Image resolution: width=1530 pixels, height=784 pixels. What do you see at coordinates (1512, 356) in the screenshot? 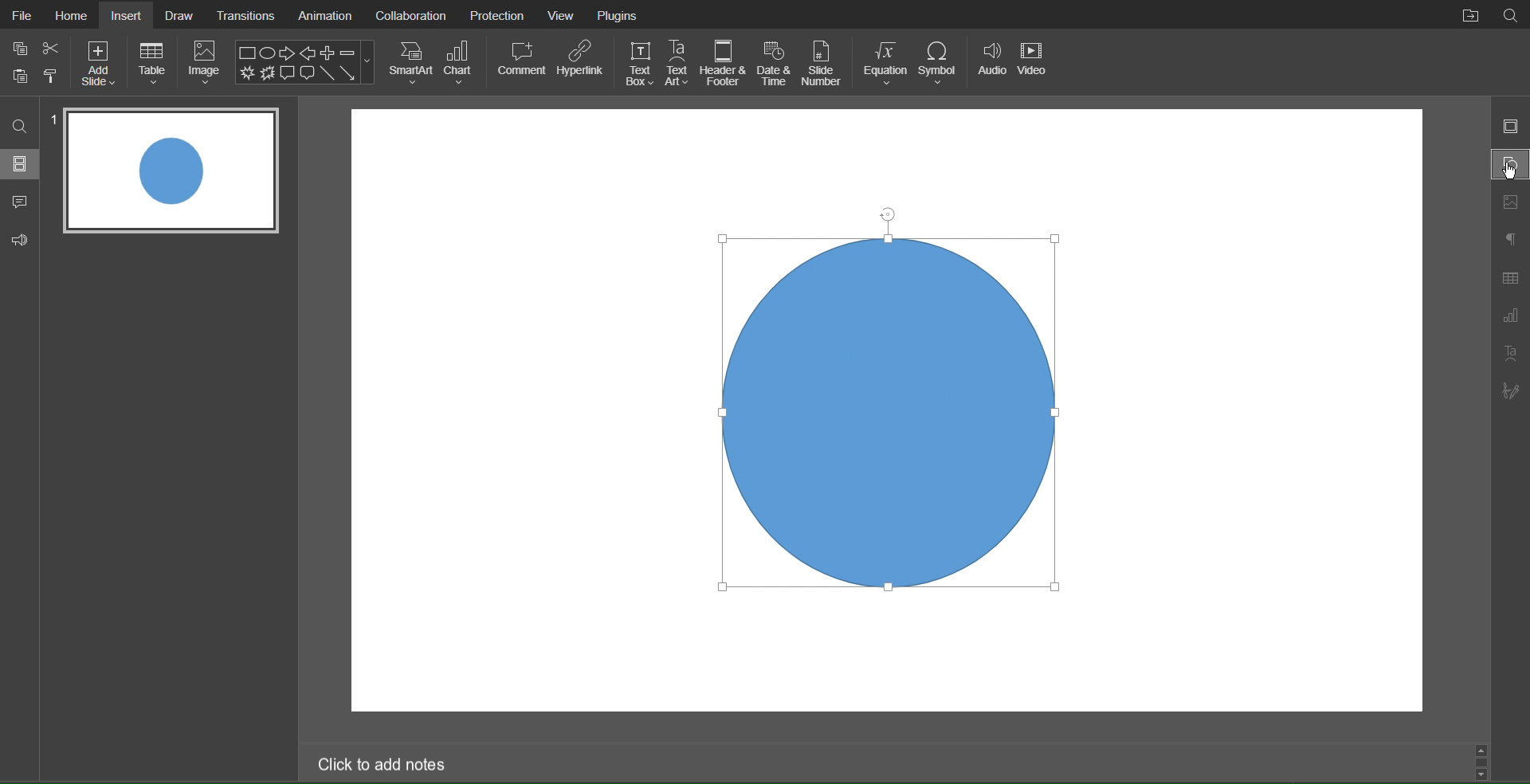
I see `Text Art` at bounding box center [1512, 356].